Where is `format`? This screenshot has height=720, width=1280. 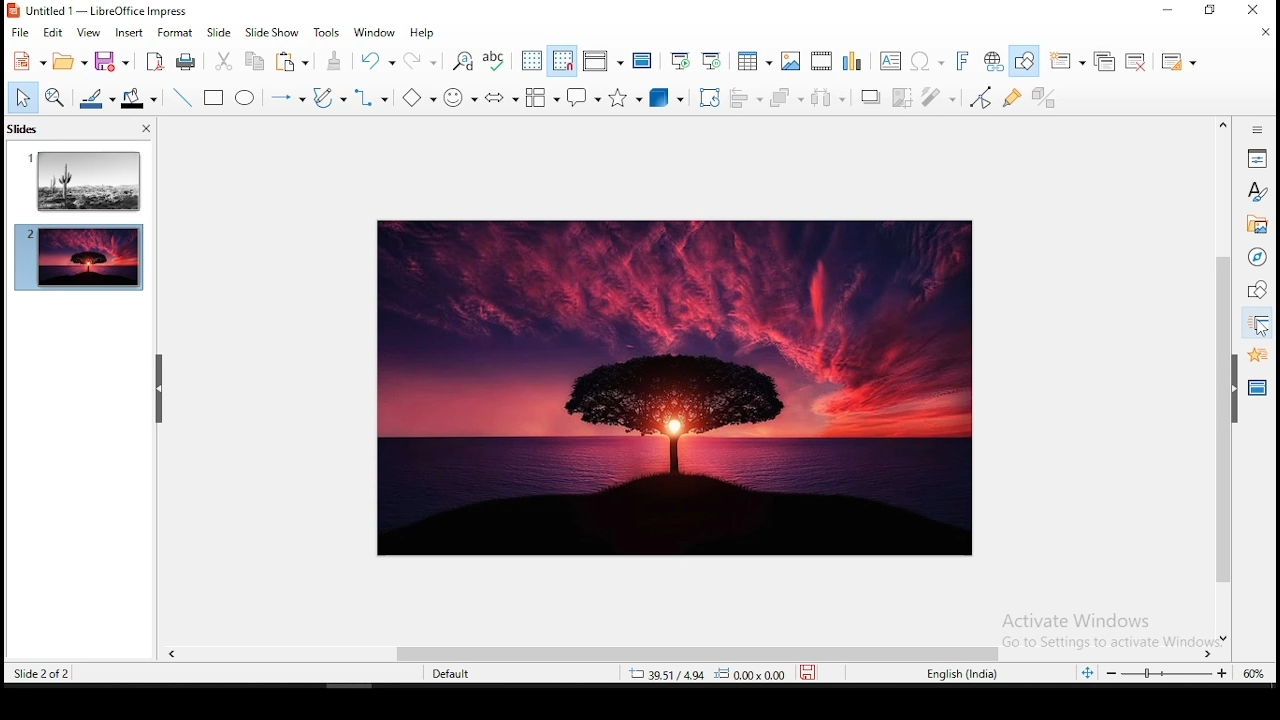 format is located at coordinates (175, 31).